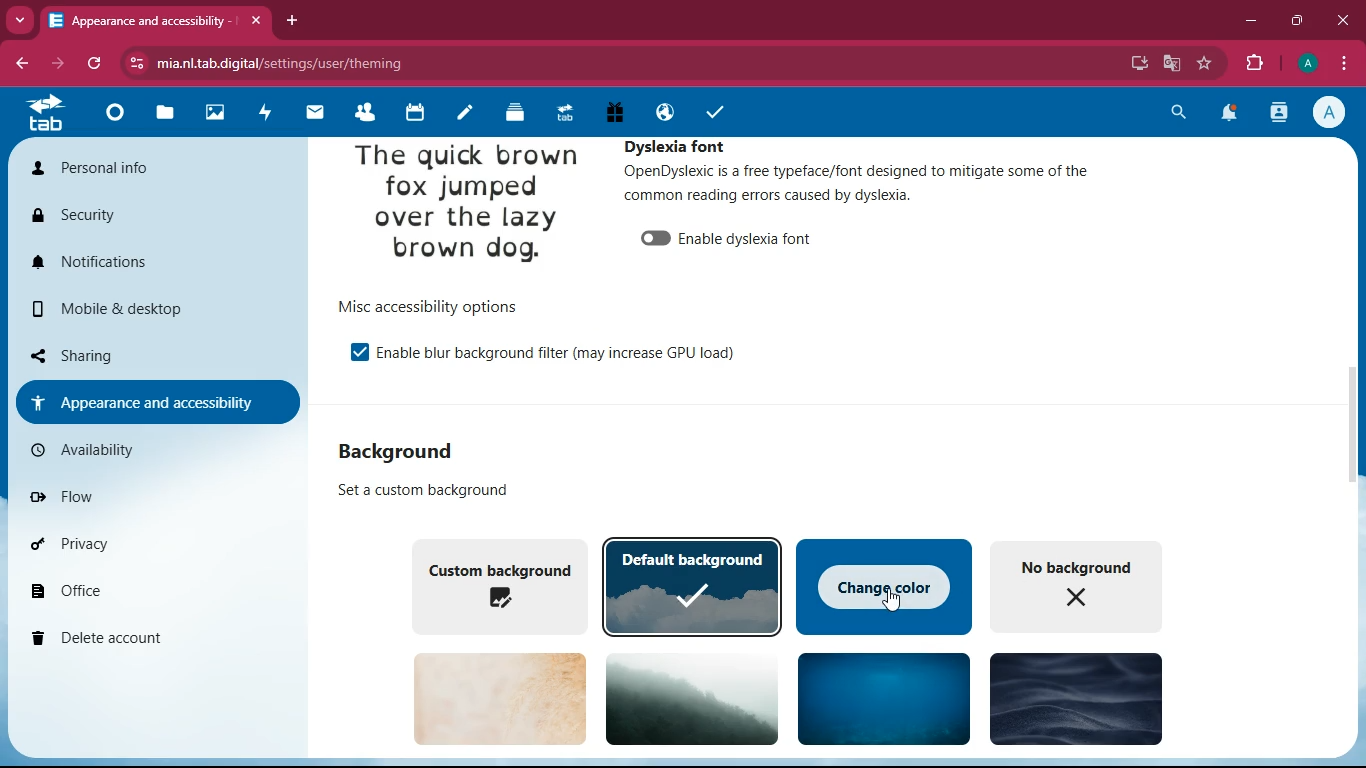 Image resolution: width=1366 pixels, height=768 pixels. I want to click on scroll bar, so click(1351, 438).